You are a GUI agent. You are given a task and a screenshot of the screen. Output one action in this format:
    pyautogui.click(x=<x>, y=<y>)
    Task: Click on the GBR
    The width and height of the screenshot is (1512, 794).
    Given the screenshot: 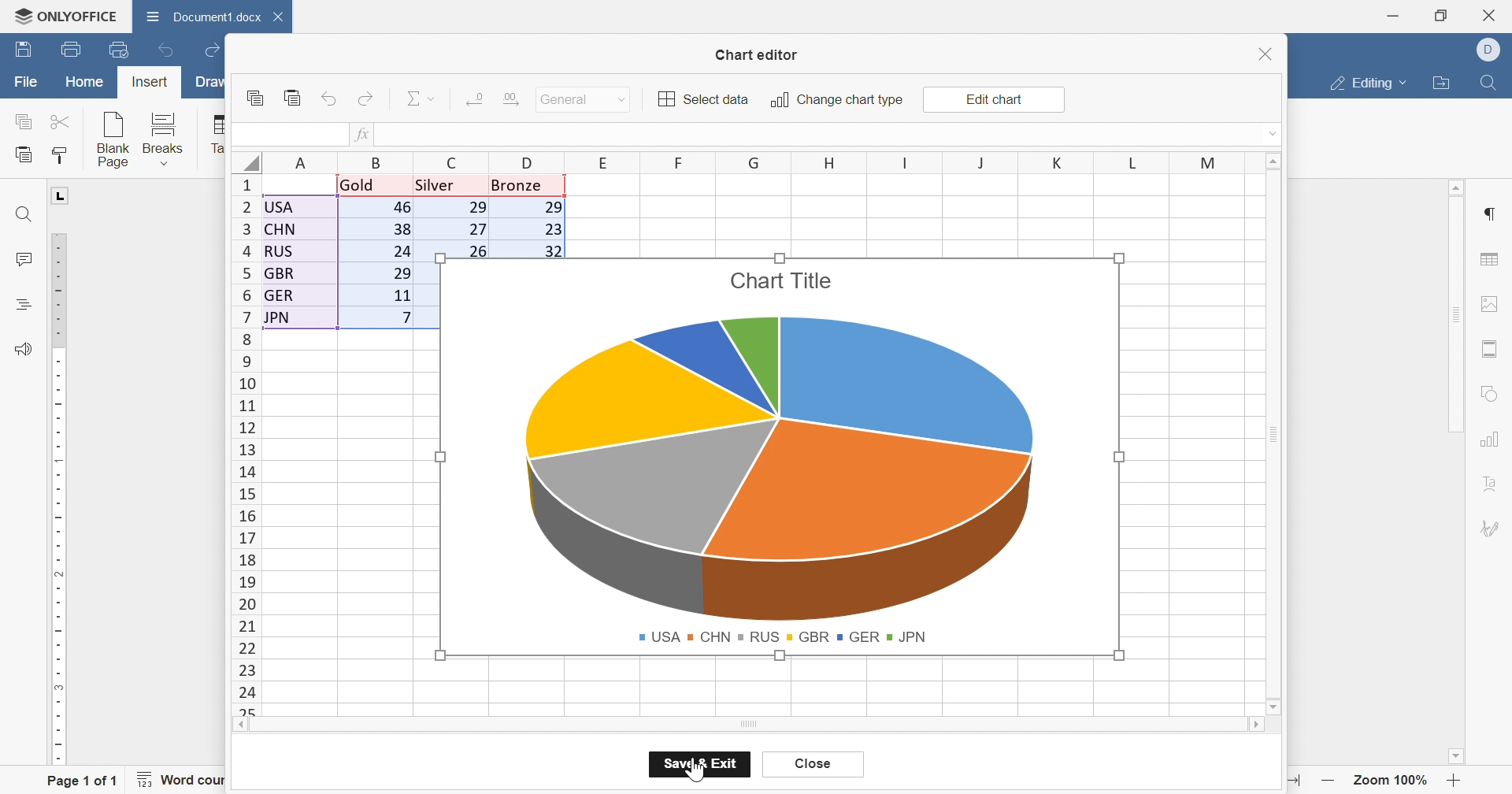 What is the action you would take?
    pyautogui.click(x=284, y=274)
    